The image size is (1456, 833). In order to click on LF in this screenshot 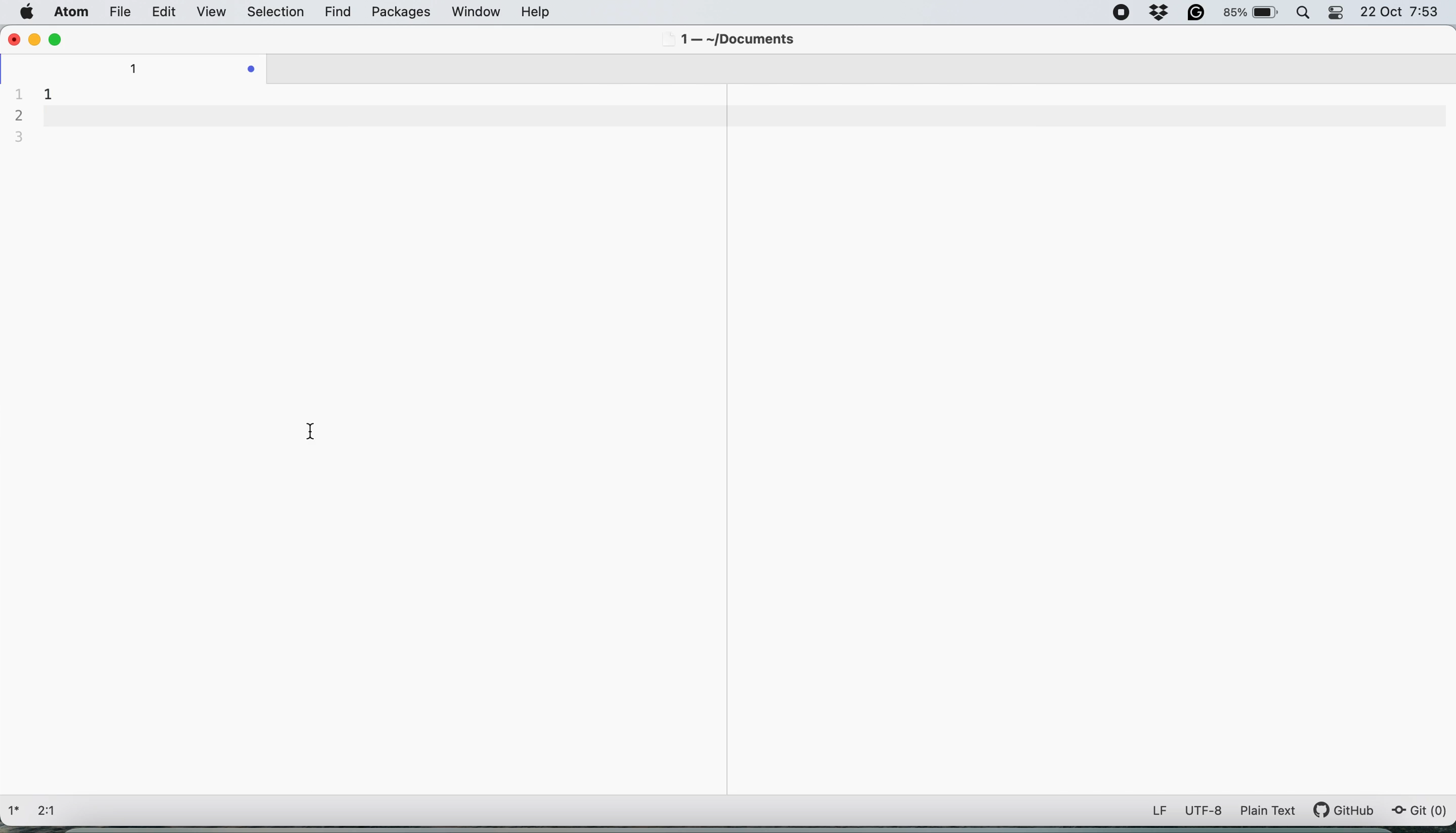, I will do `click(1153, 810)`.